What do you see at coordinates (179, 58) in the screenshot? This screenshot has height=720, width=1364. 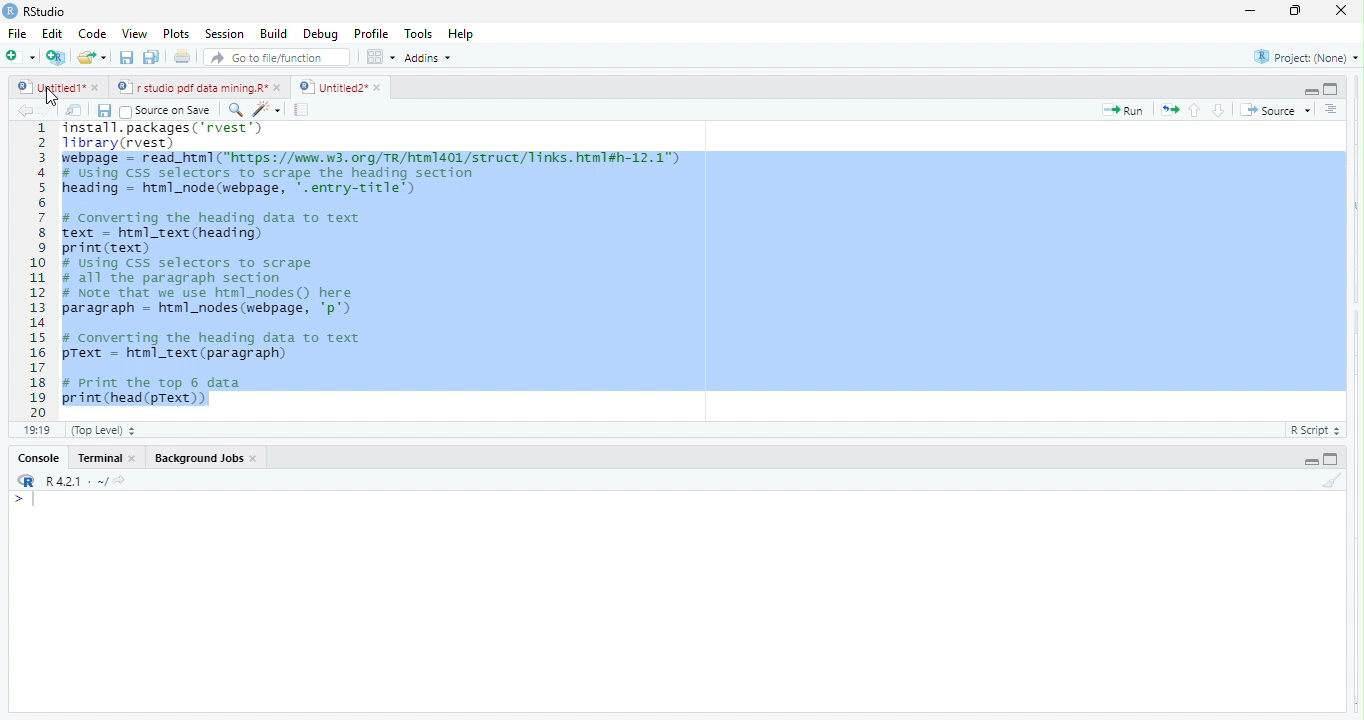 I see `print the current file` at bounding box center [179, 58].